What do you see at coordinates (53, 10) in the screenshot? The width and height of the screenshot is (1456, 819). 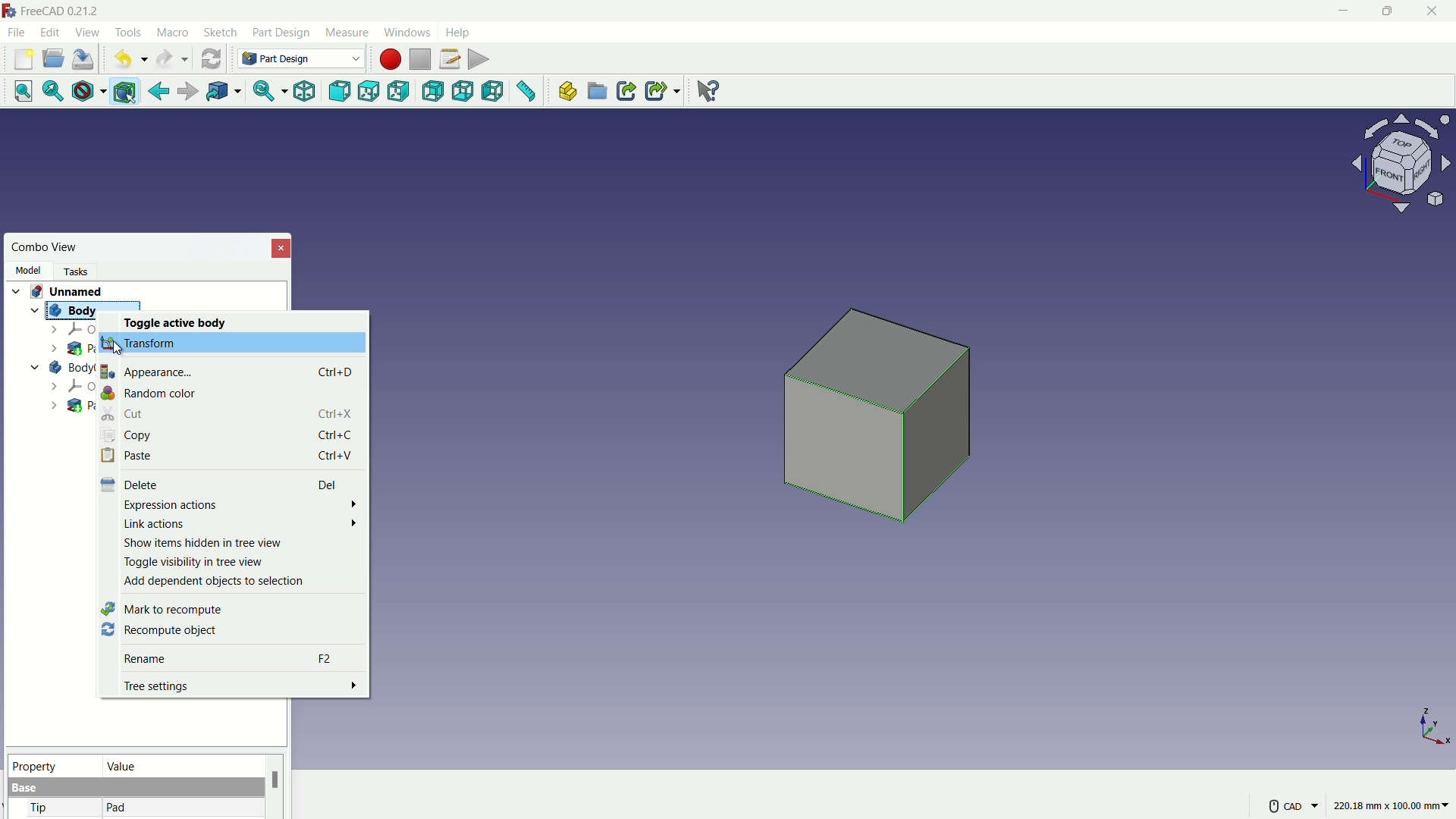 I see `FreeCAD 0.21.2` at bounding box center [53, 10].